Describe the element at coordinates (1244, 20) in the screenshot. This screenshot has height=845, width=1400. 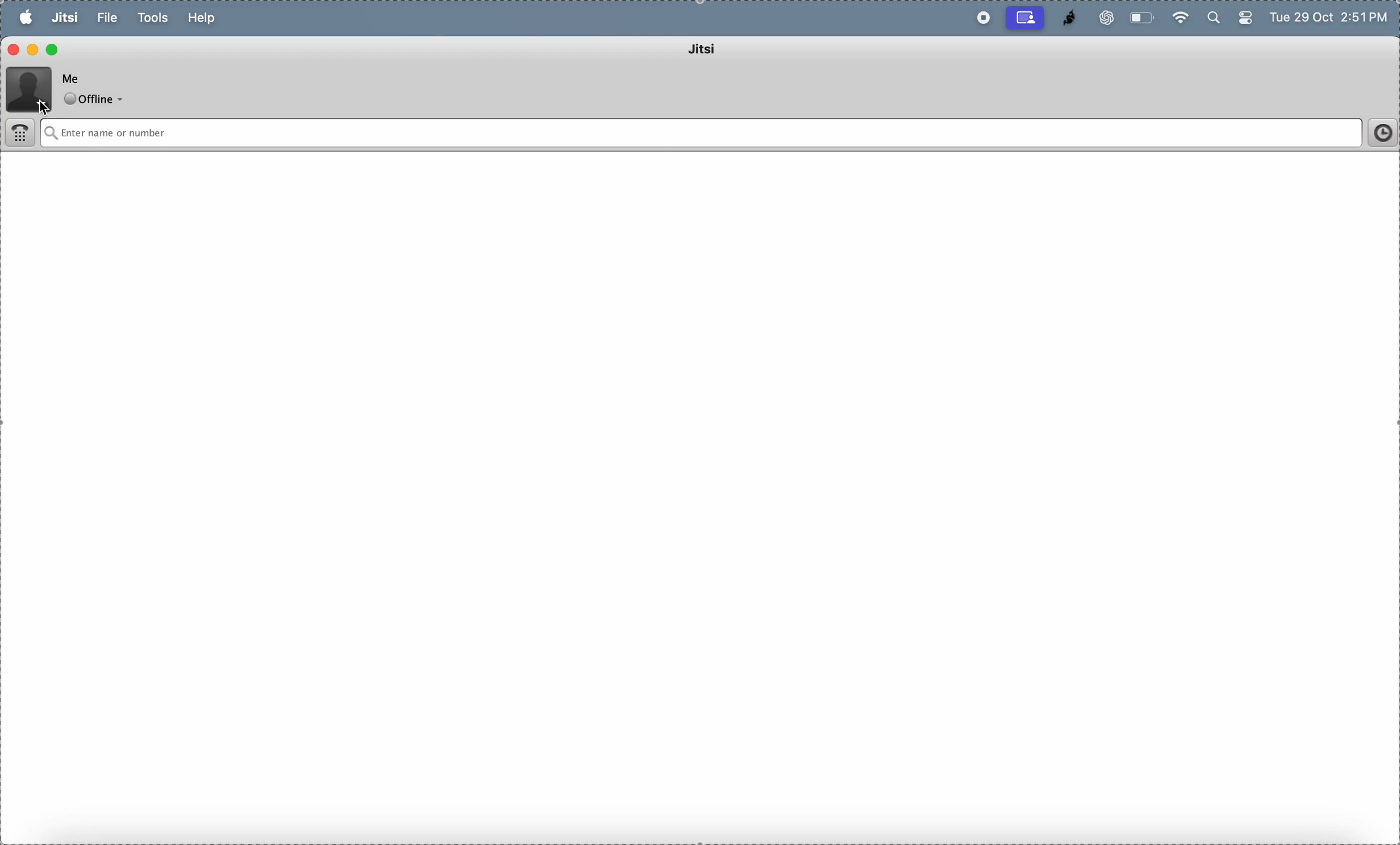
I see `battery` at that location.